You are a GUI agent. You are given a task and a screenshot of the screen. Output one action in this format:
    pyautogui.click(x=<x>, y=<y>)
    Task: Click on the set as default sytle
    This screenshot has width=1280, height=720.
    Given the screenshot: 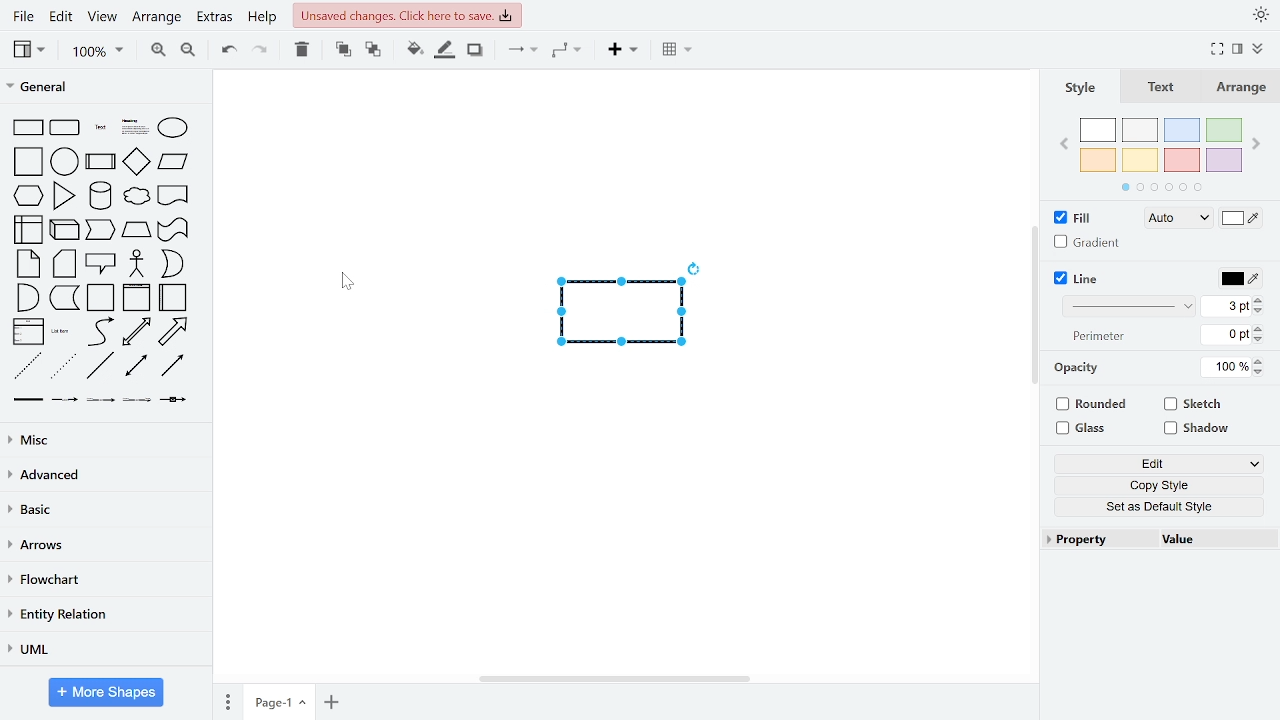 What is the action you would take?
    pyautogui.click(x=1154, y=507)
    